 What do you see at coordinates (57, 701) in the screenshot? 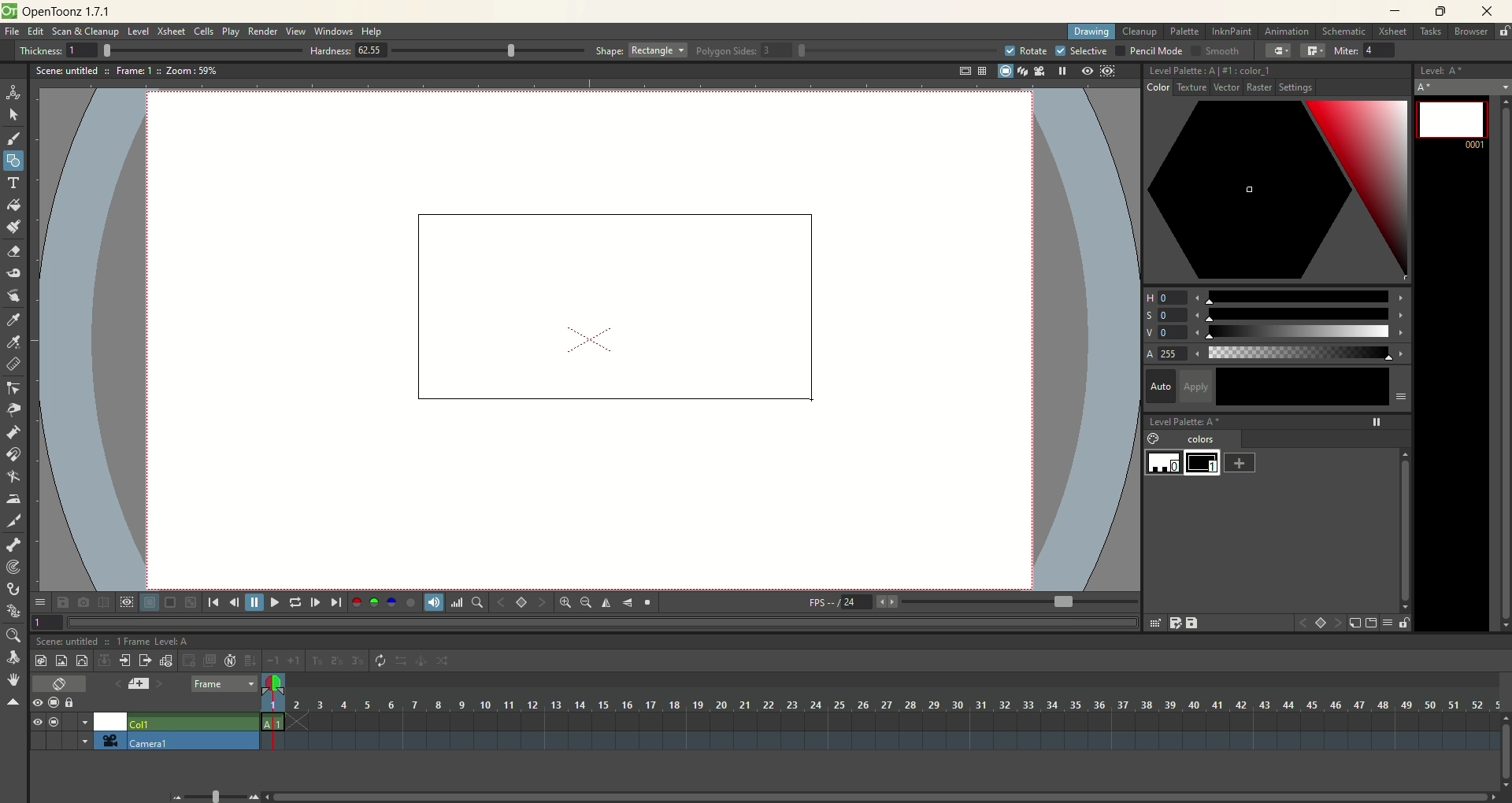
I see `camera stand visibility` at bounding box center [57, 701].